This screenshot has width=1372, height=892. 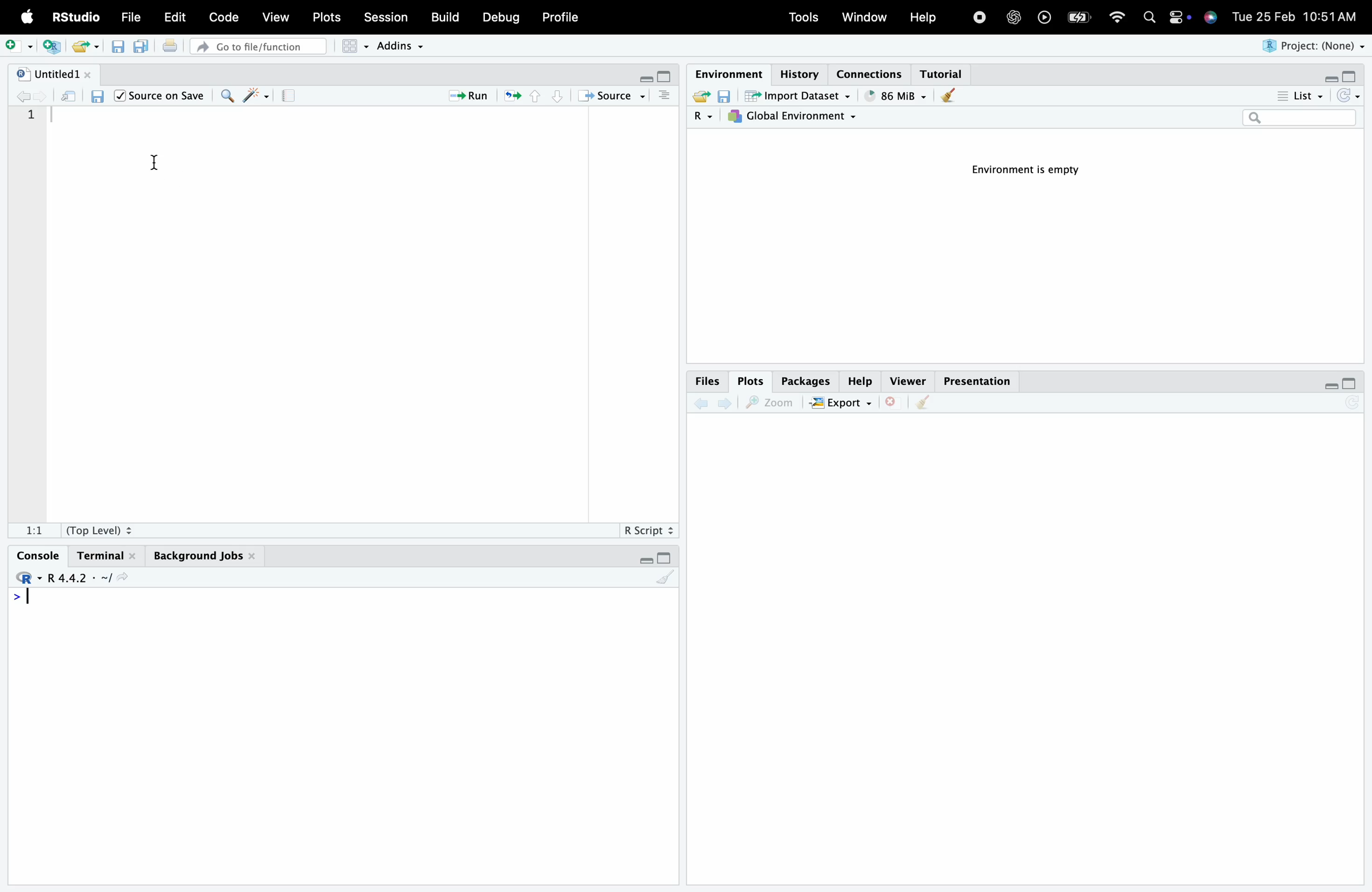 I want to click on save script, so click(x=120, y=52).